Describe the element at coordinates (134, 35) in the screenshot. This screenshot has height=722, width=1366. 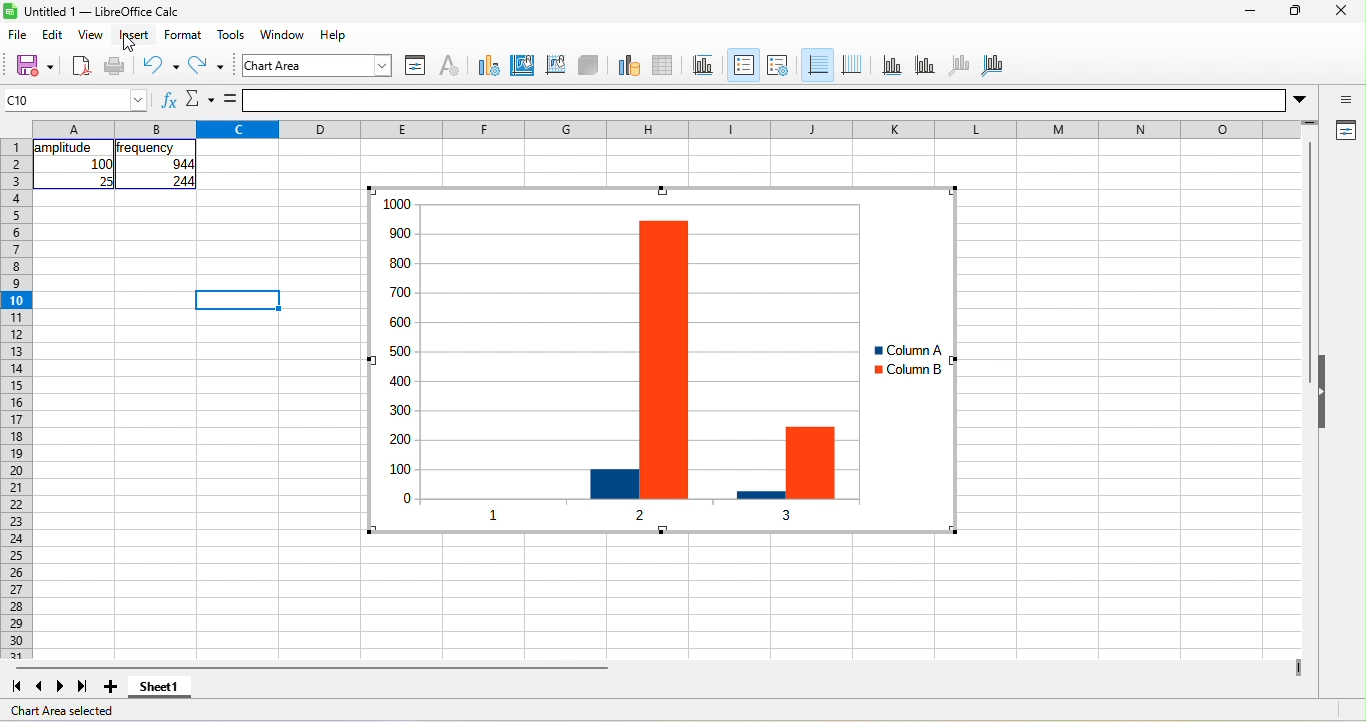
I see `insert` at that location.